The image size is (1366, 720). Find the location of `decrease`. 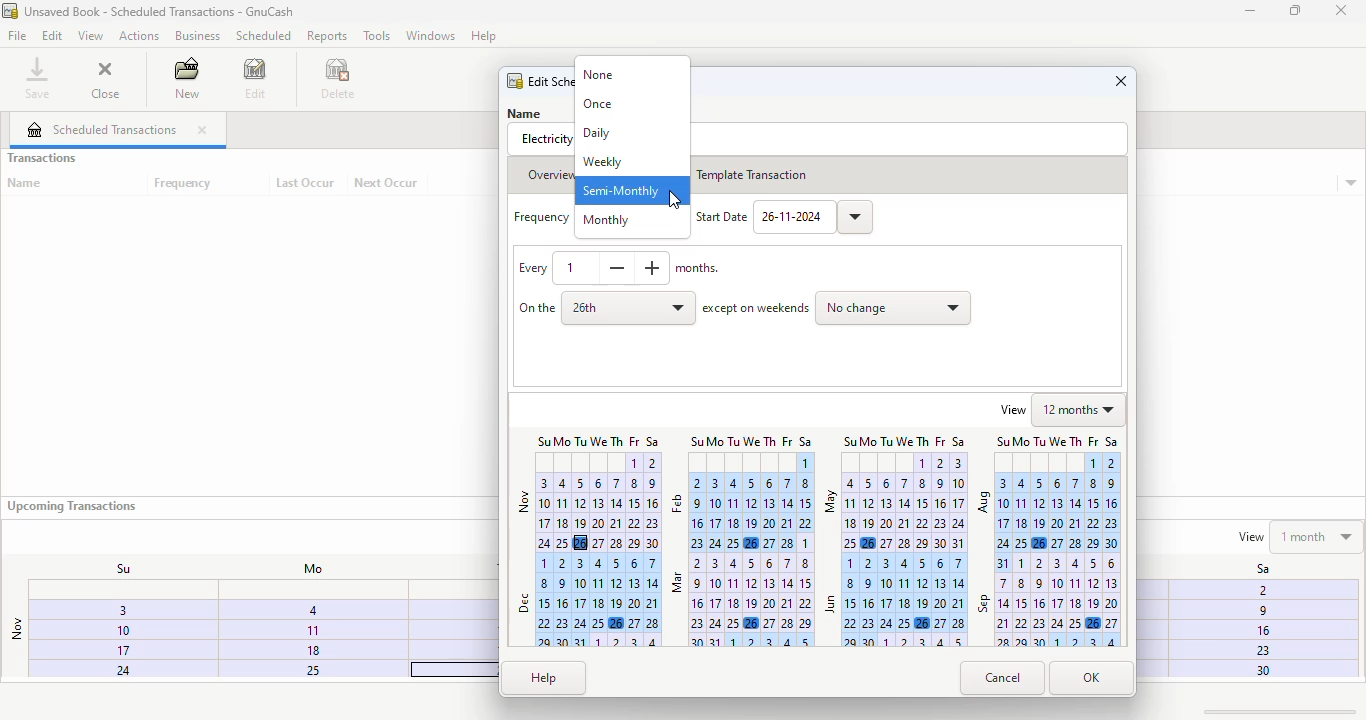

decrease is located at coordinates (613, 269).